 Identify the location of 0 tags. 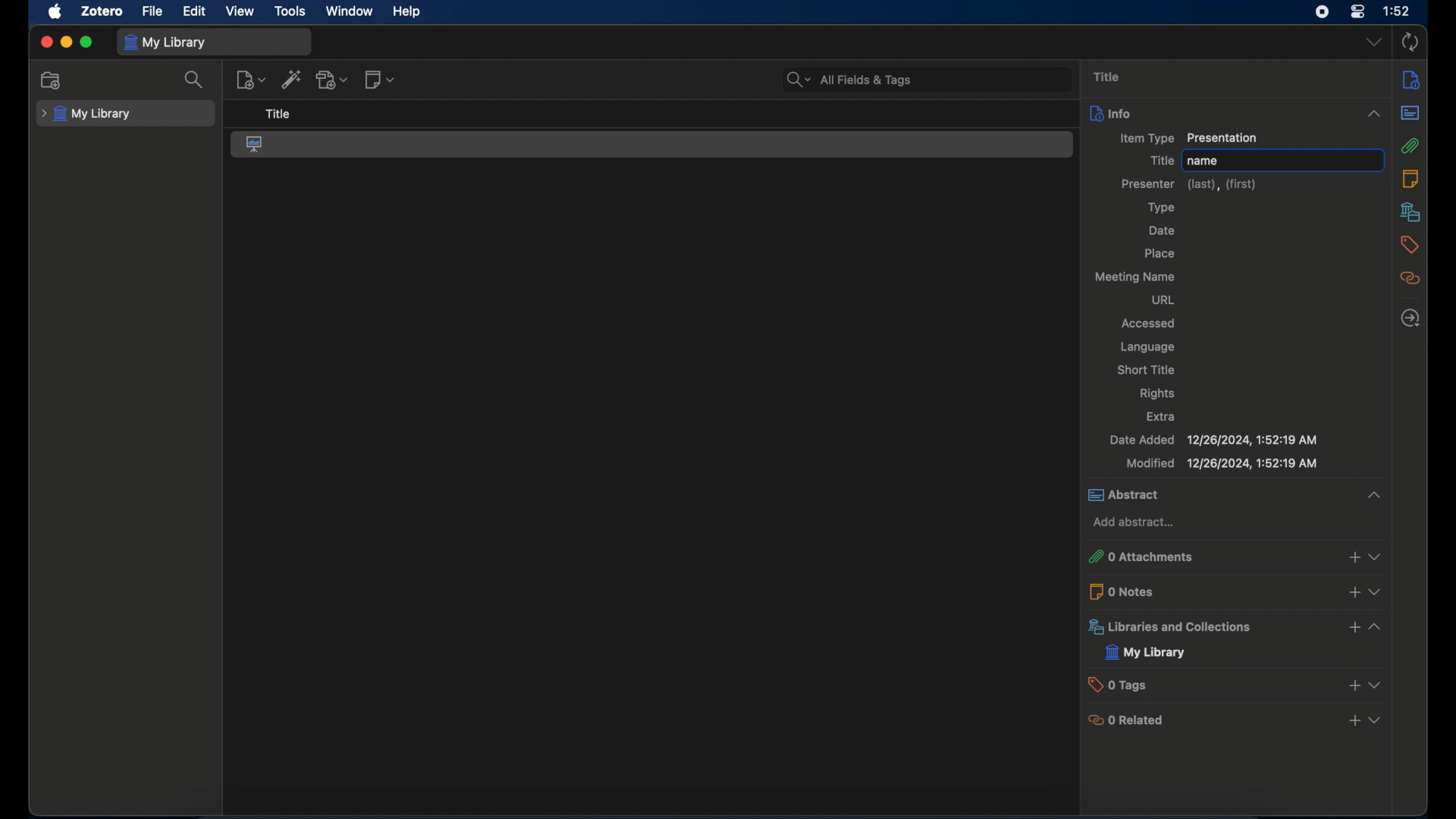
(1236, 684).